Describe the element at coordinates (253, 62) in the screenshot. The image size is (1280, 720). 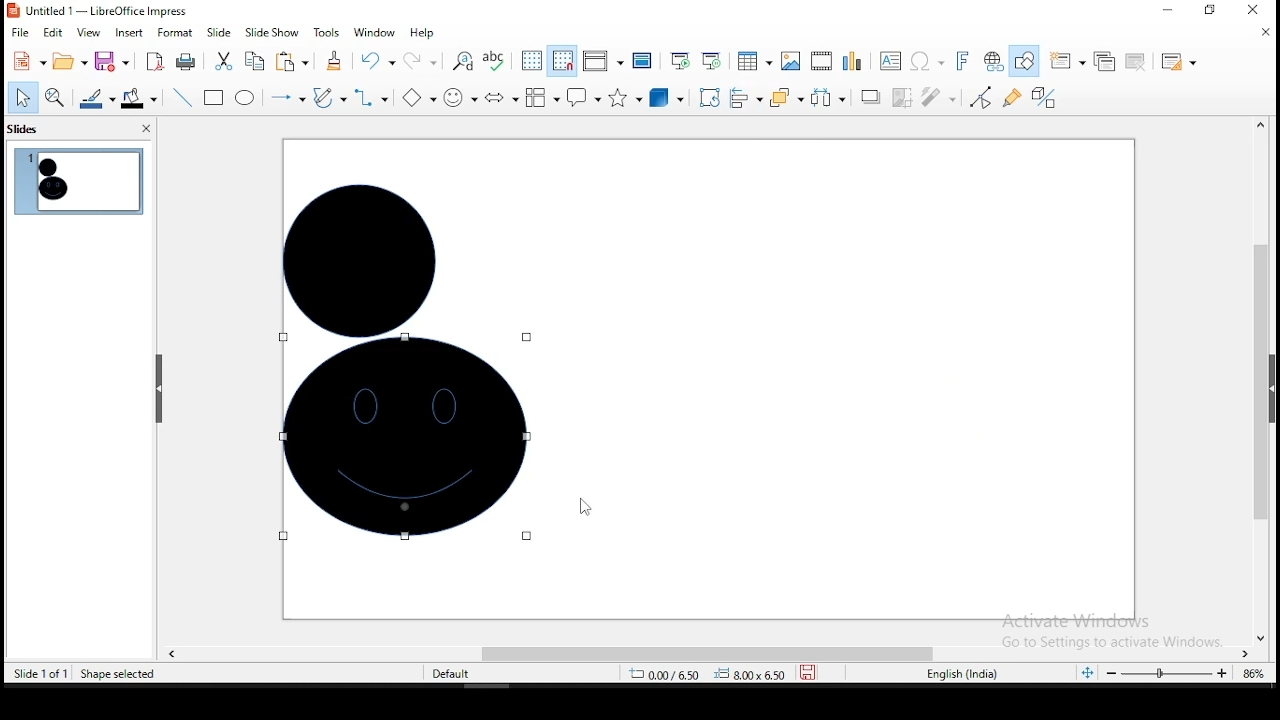
I see `copy` at that location.